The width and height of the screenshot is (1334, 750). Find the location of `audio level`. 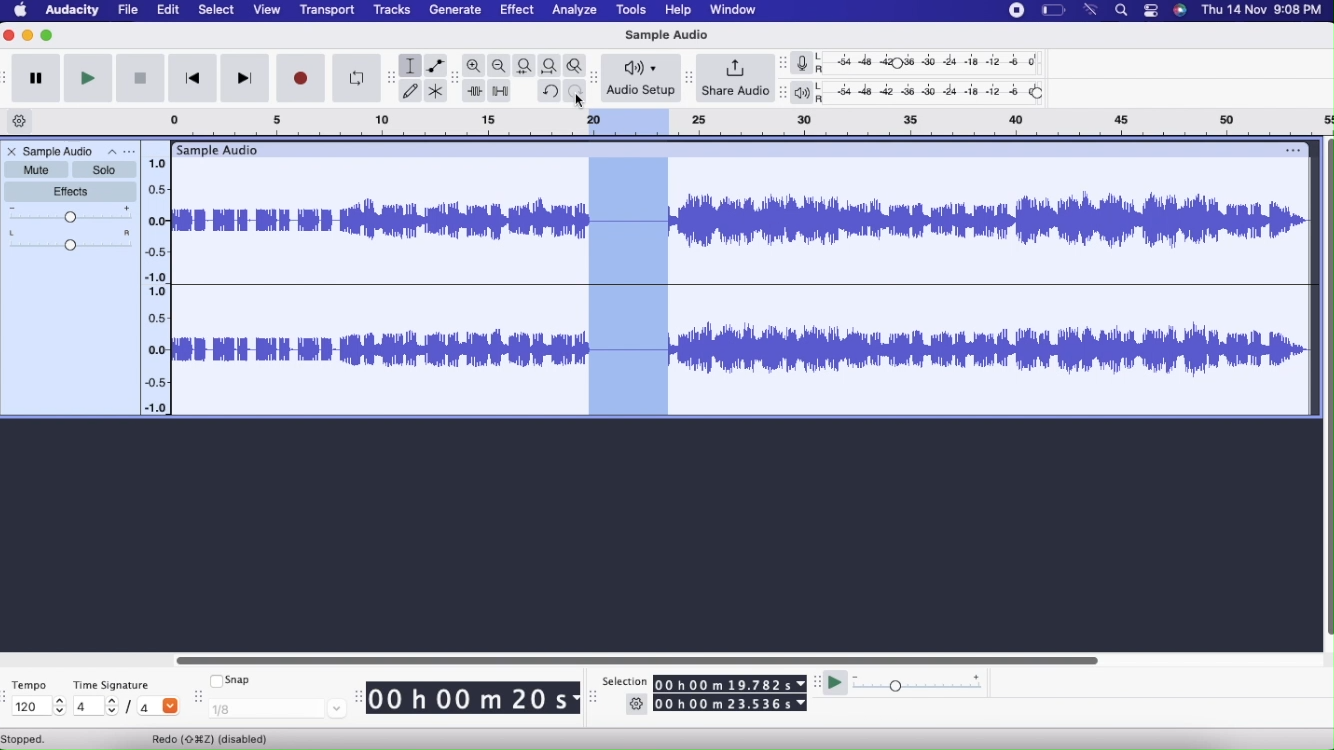

audio level is located at coordinates (156, 219).